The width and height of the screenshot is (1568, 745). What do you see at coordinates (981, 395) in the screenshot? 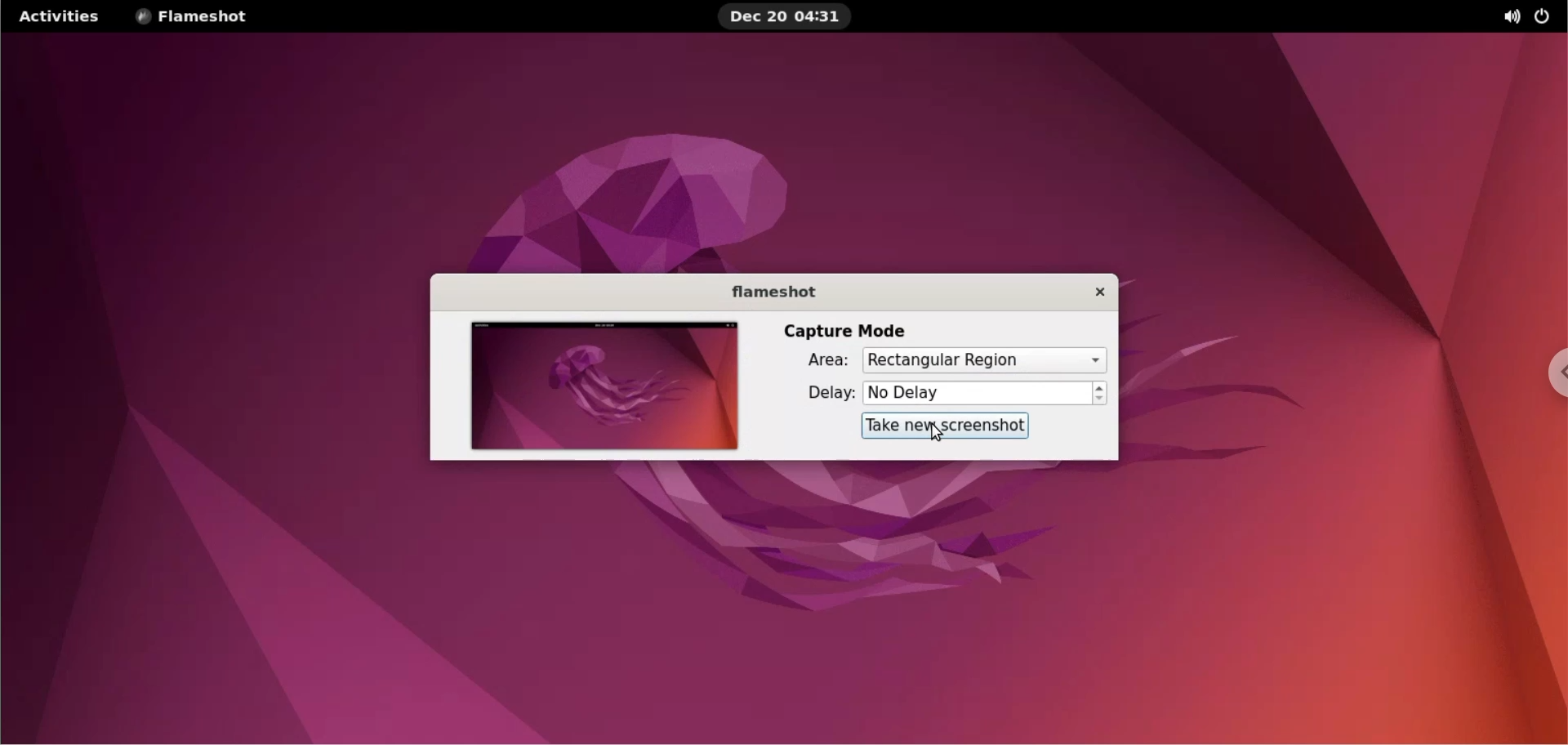
I see `delay input` at bounding box center [981, 395].